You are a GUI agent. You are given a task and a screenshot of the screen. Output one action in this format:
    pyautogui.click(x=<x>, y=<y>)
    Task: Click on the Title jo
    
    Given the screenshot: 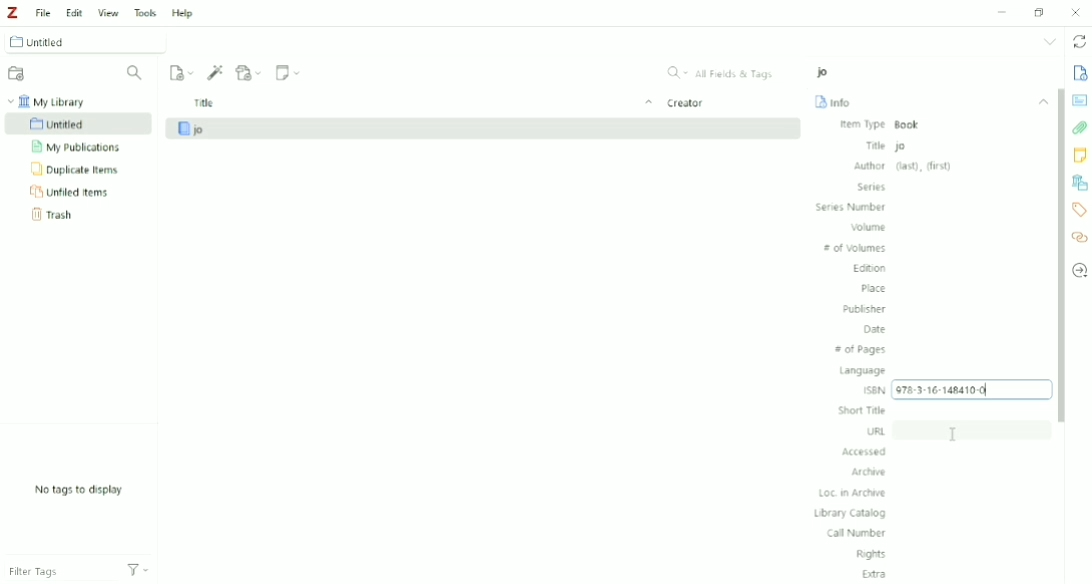 What is the action you would take?
    pyautogui.click(x=887, y=146)
    